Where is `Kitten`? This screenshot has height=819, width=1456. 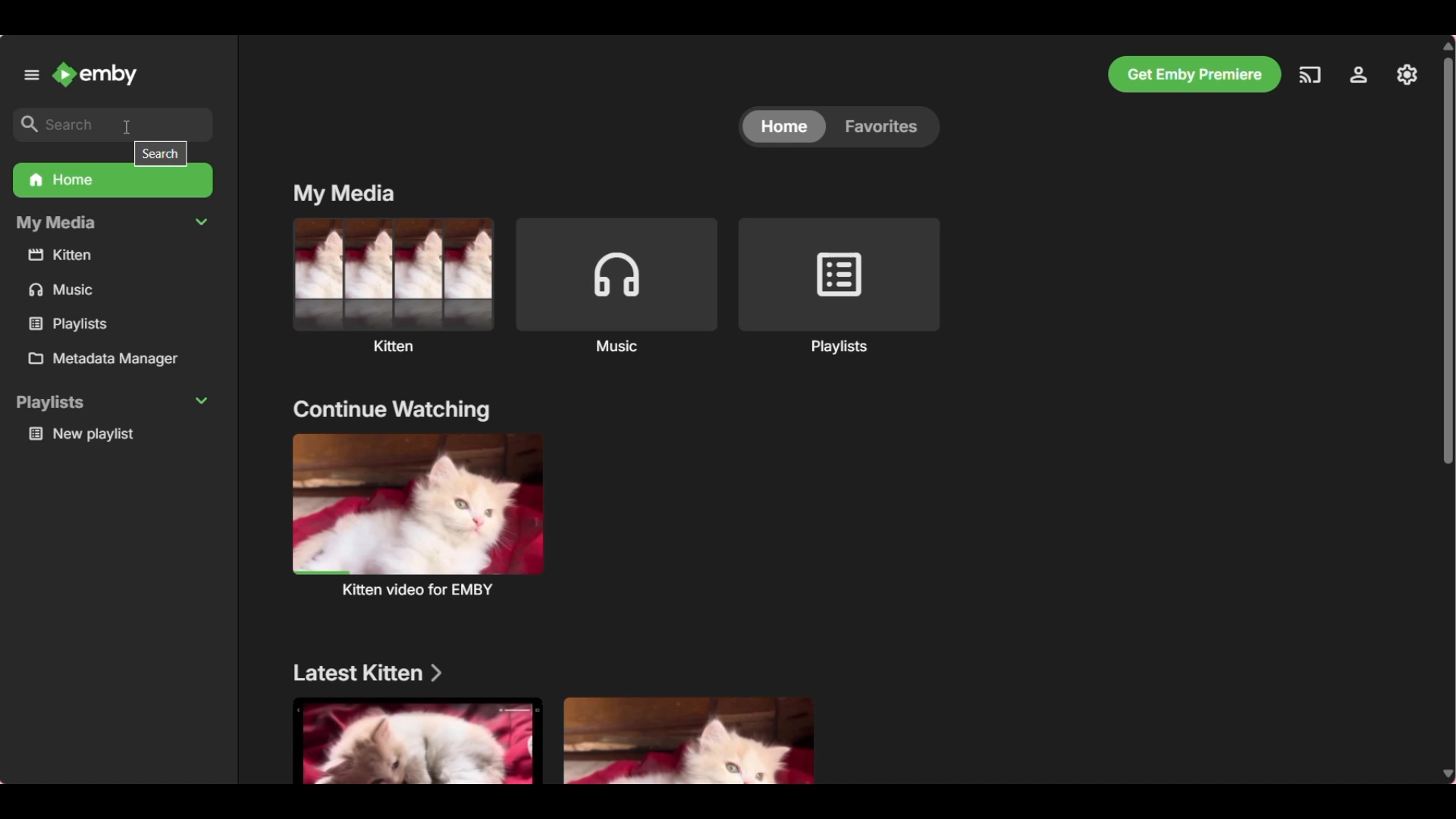 Kitten is located at coordinates (390, 284).